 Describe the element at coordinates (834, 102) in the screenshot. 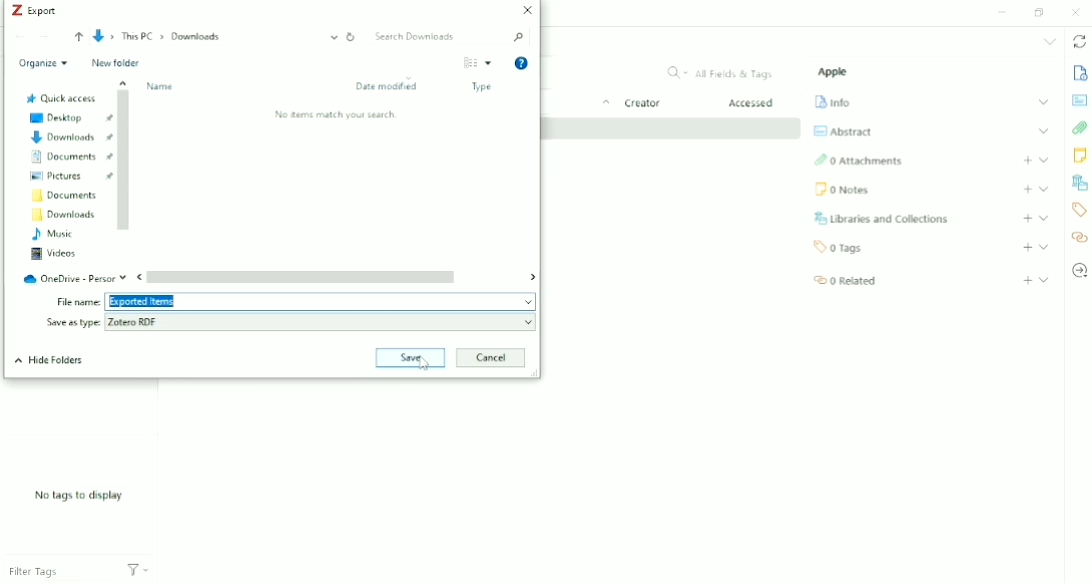

I see `Info` at that location.